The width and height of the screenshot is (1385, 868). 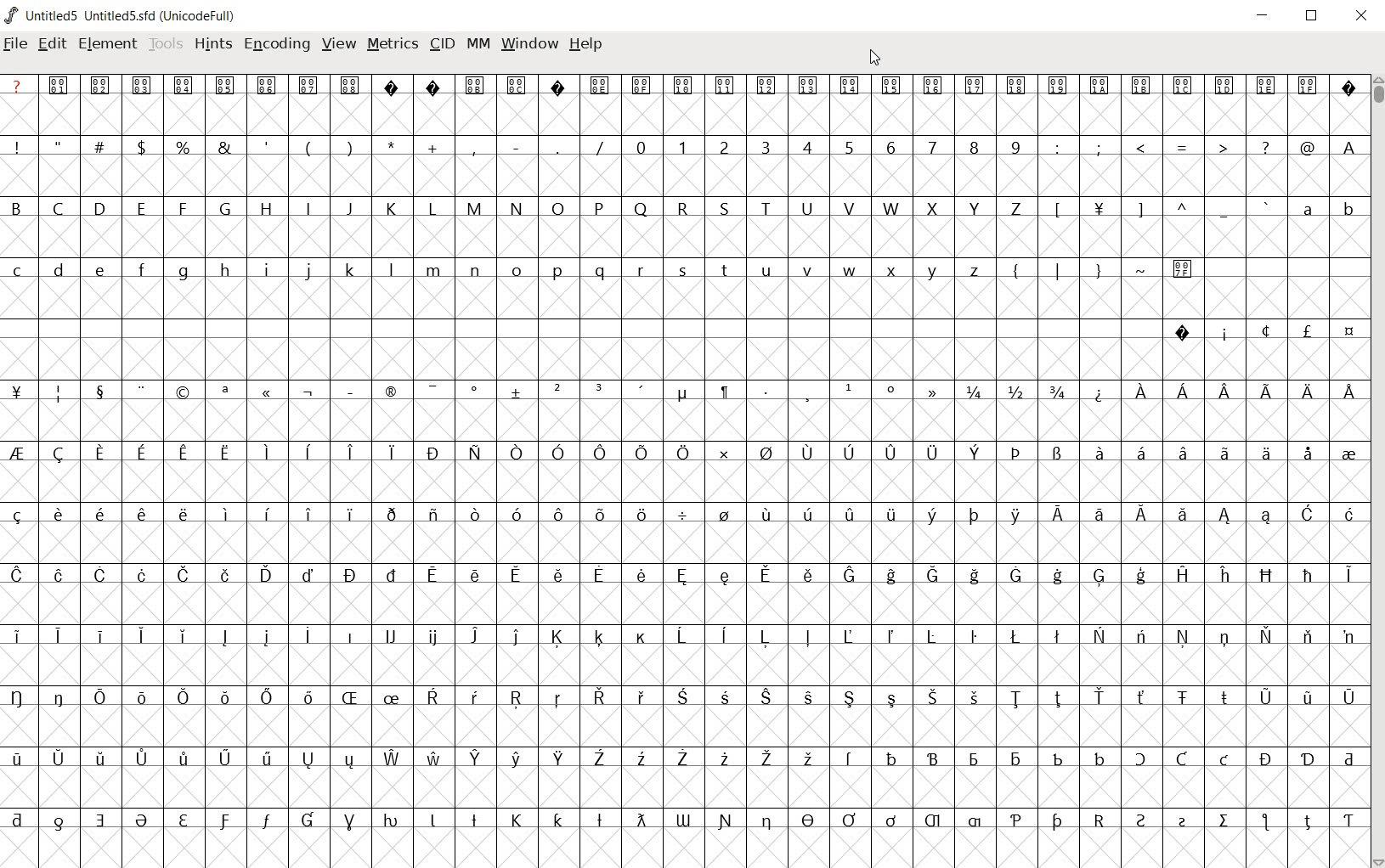 What do you see at coordinates (1015, 758) in the screenshot?
I see `Symbol` at bounding box center [1015, 758].